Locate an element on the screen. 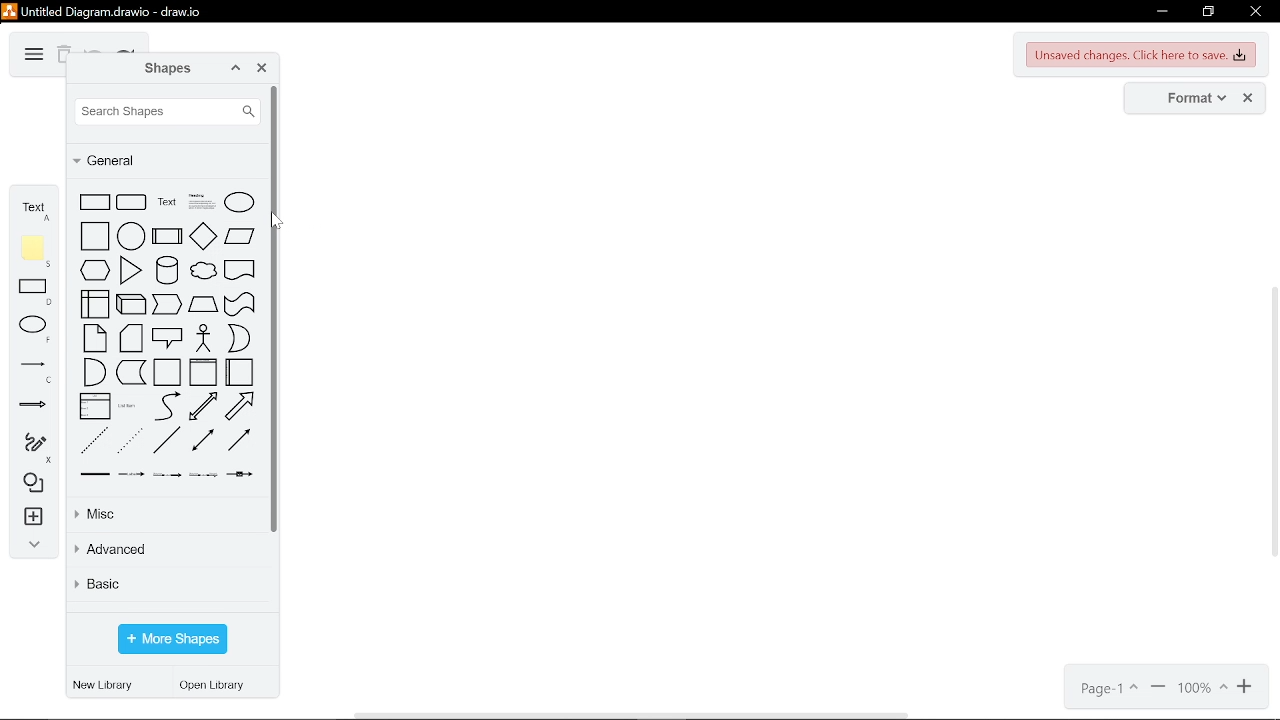  zoom in is located at coordinates (1158, 689).